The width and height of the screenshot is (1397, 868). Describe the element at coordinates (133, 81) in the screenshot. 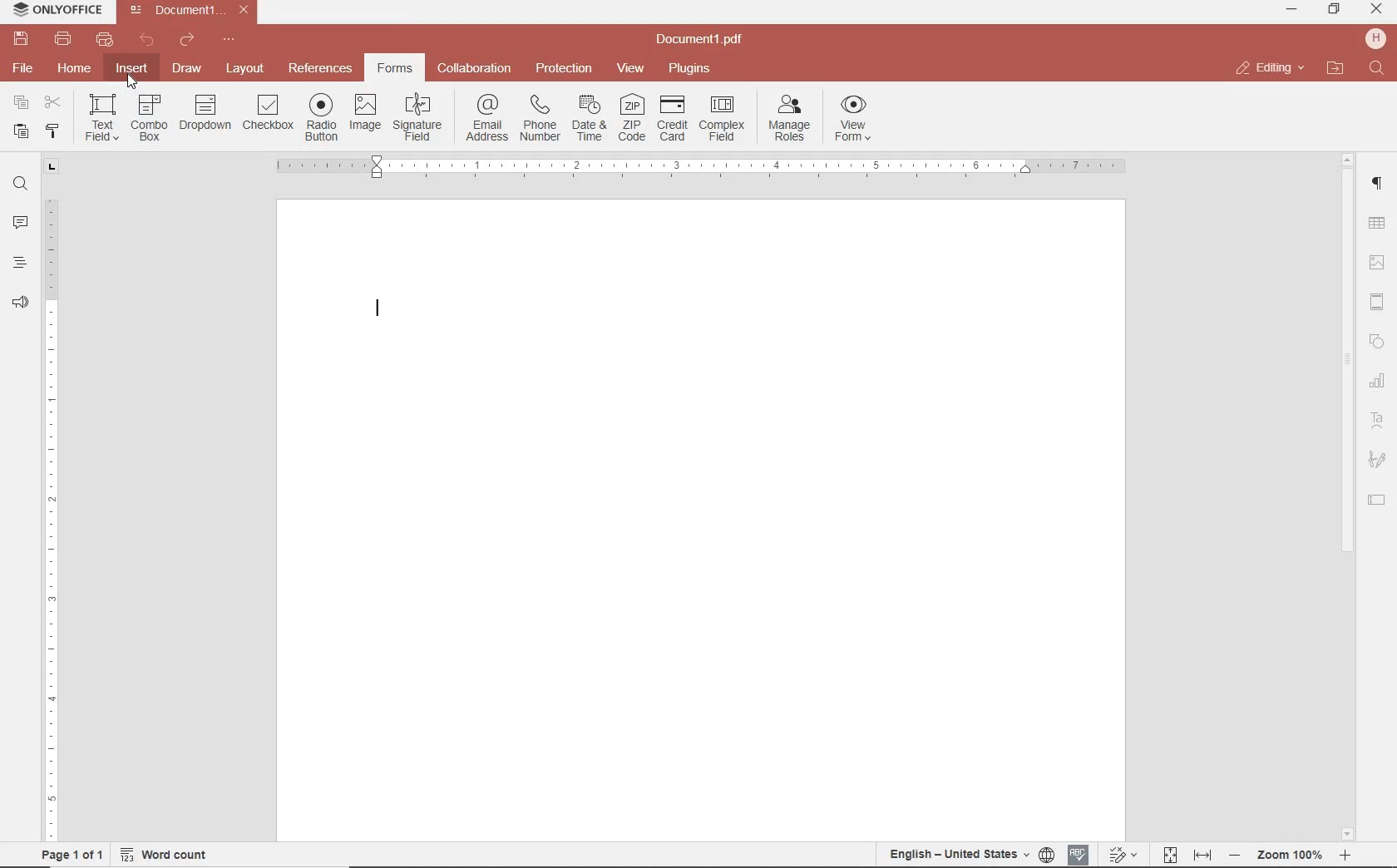

I see `cursor` at that location.